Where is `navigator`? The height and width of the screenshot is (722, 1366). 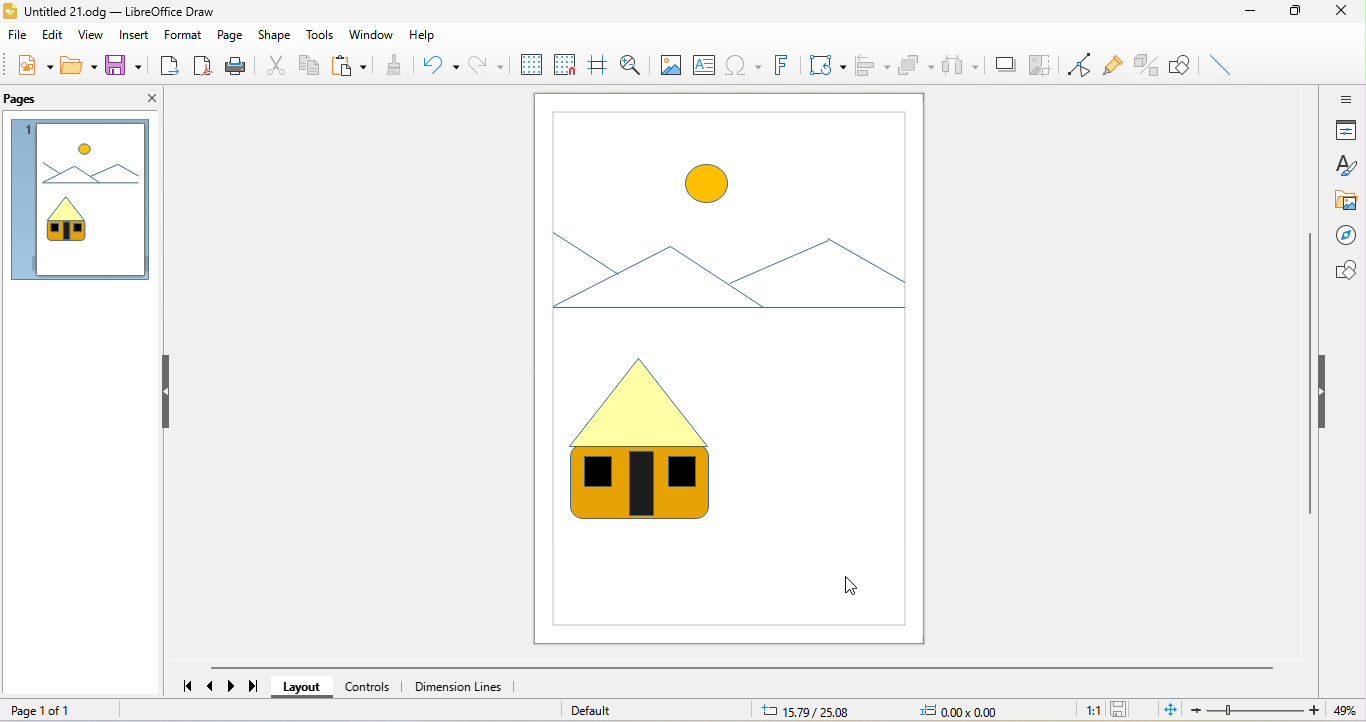 navigator is located at coordinates (1344, 237).